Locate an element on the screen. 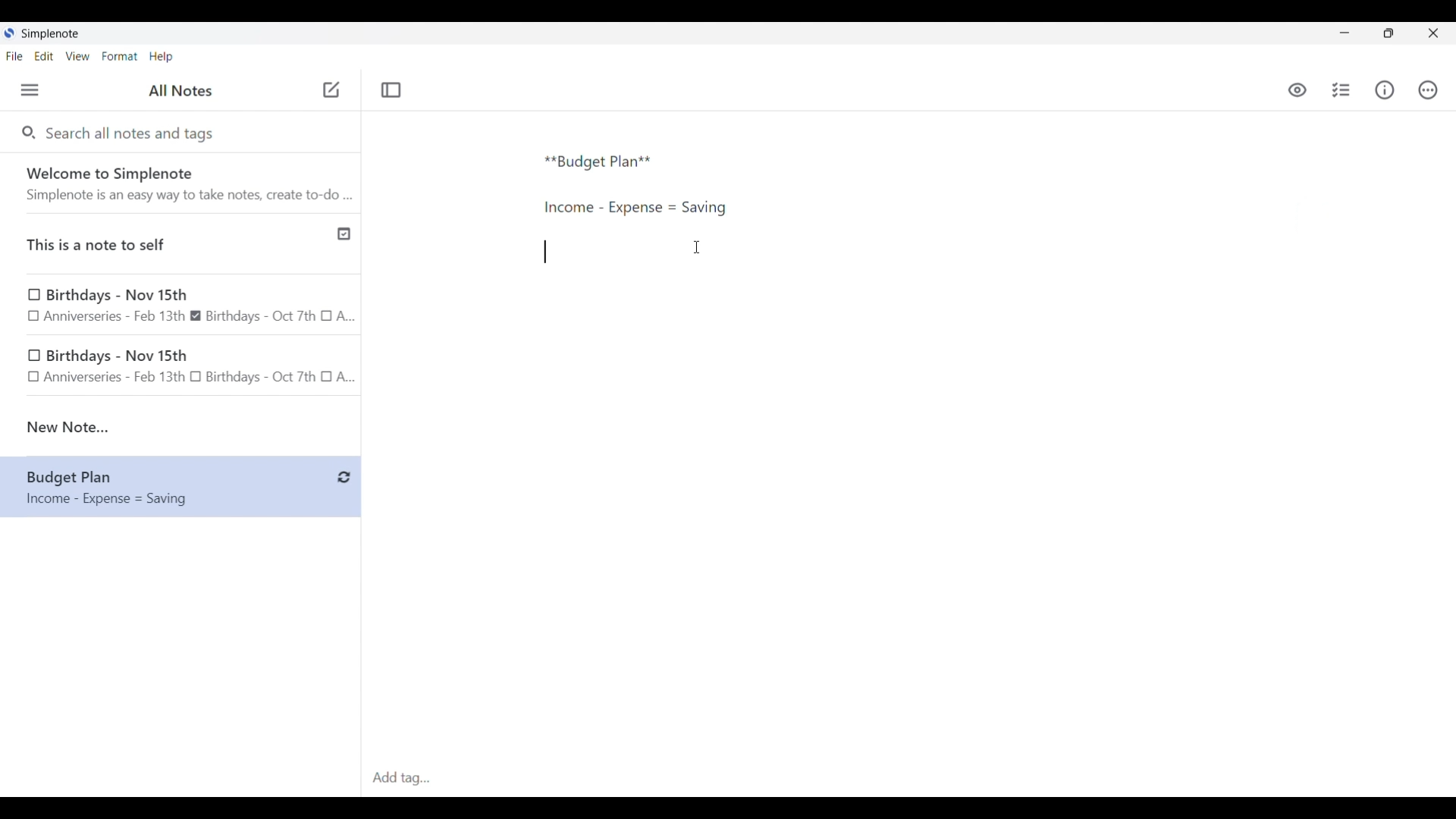 The image size is (1456, 819). Close interface is located at coordinates (1433, 33).